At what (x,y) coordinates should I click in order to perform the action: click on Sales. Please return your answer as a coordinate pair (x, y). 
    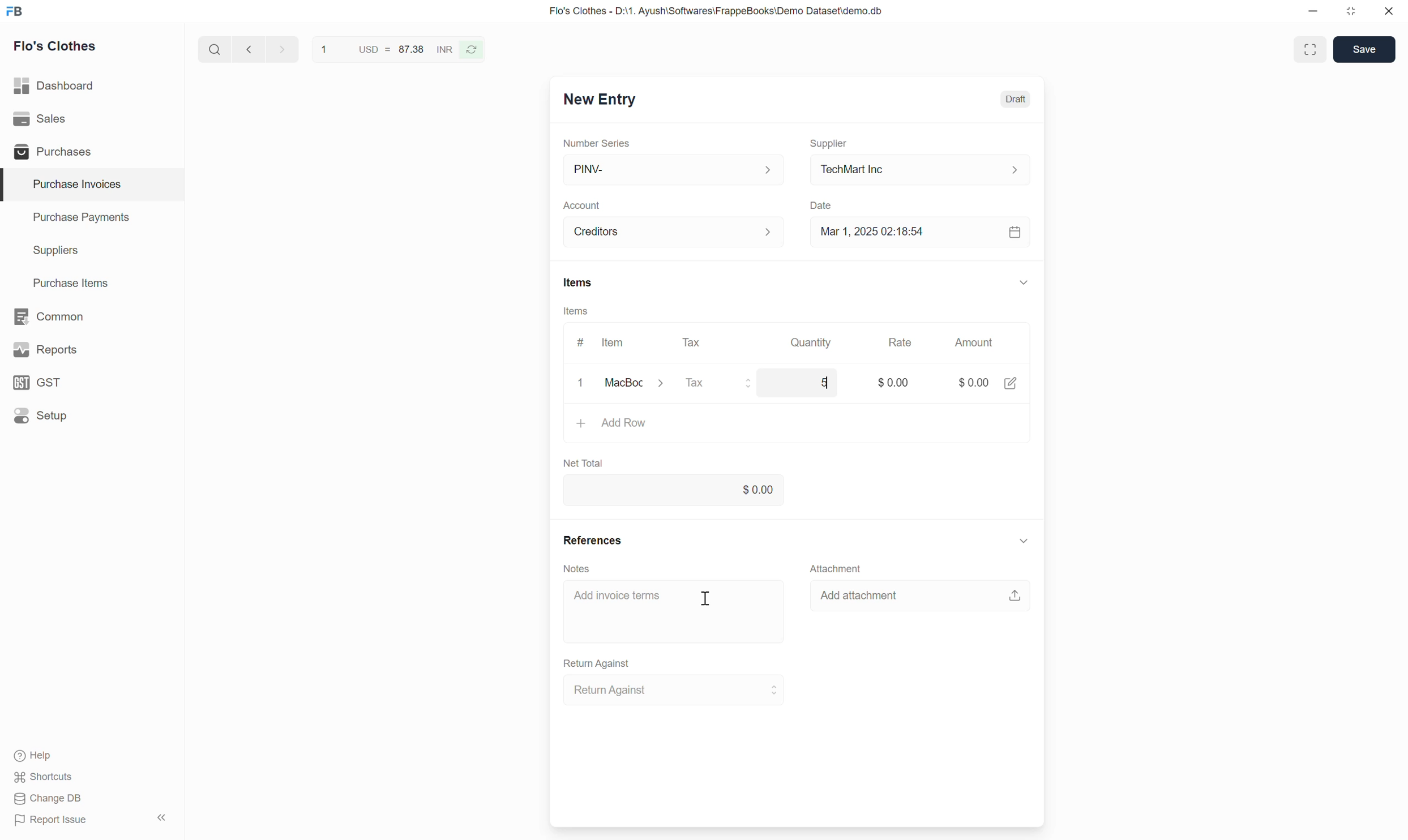
    Looking at the image, I should click on (92, 119).